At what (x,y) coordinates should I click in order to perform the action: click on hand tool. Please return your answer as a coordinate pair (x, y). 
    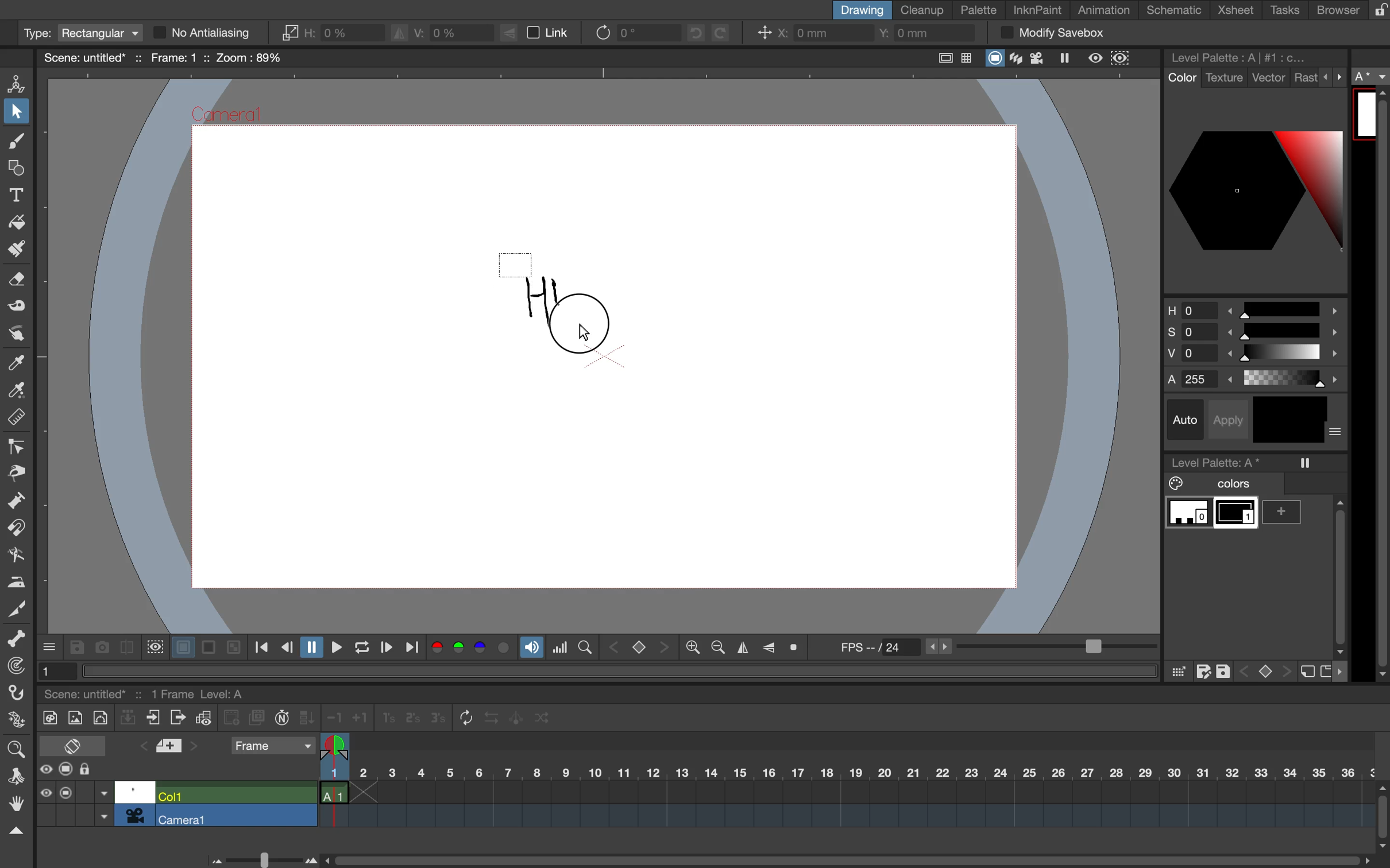
    Looking at the image, I should click on (15, 805).